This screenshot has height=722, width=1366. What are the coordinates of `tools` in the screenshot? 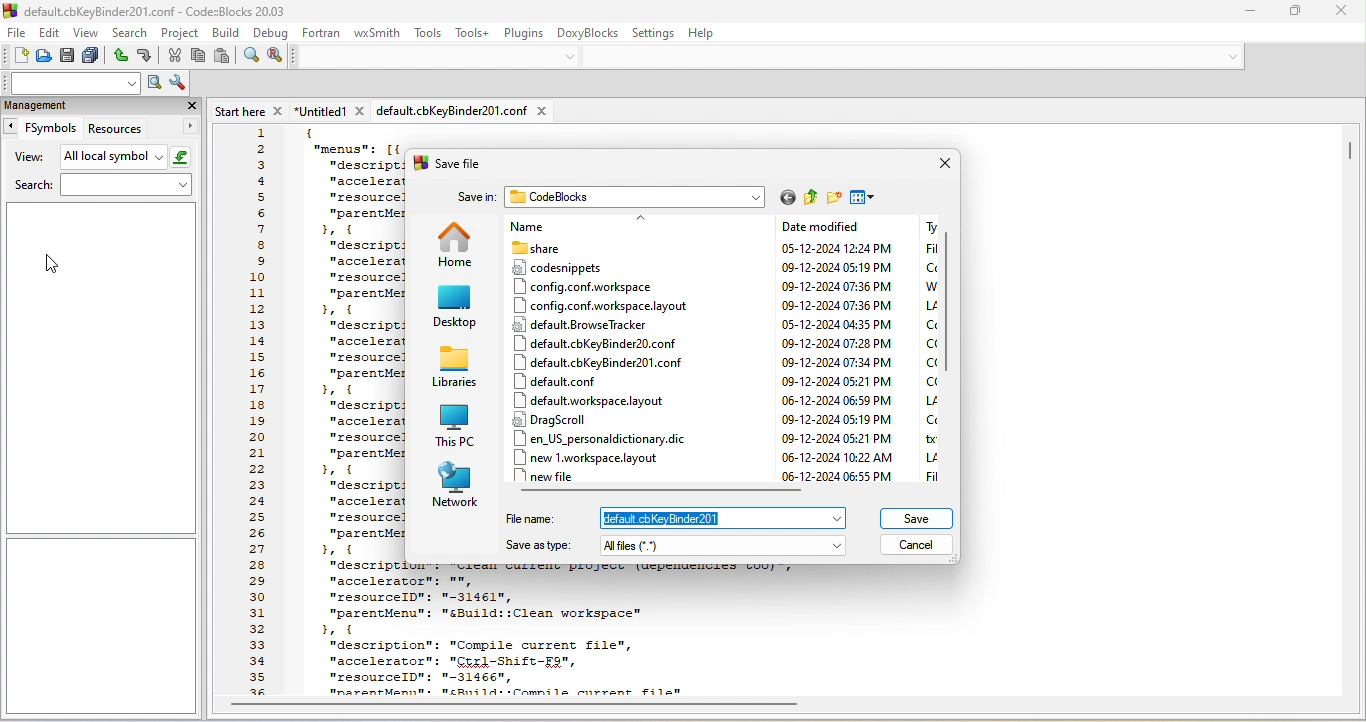 It's located at (428, 33).